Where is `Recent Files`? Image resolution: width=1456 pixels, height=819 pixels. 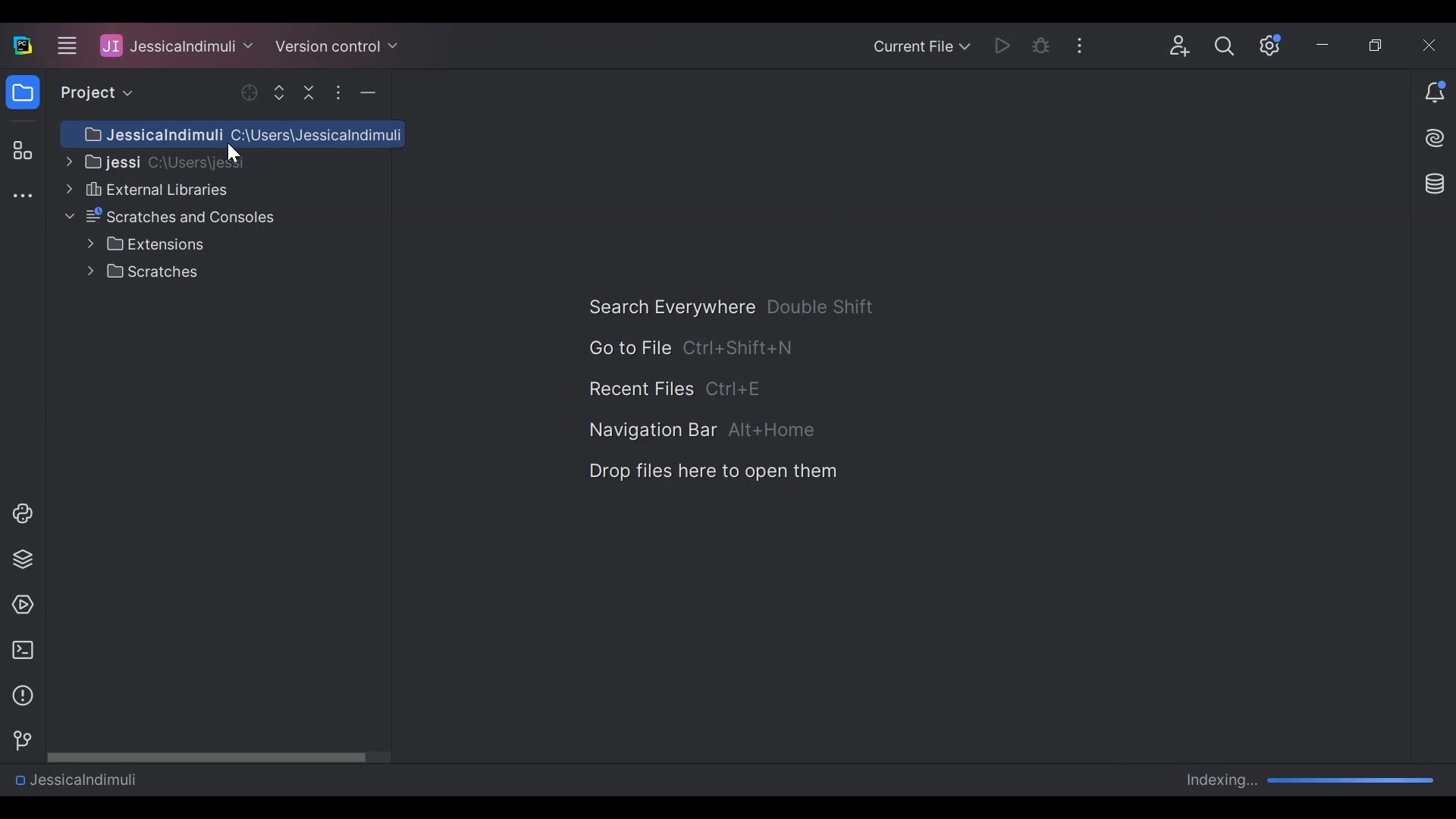 Recent Files is located at coordinates (640, 390).